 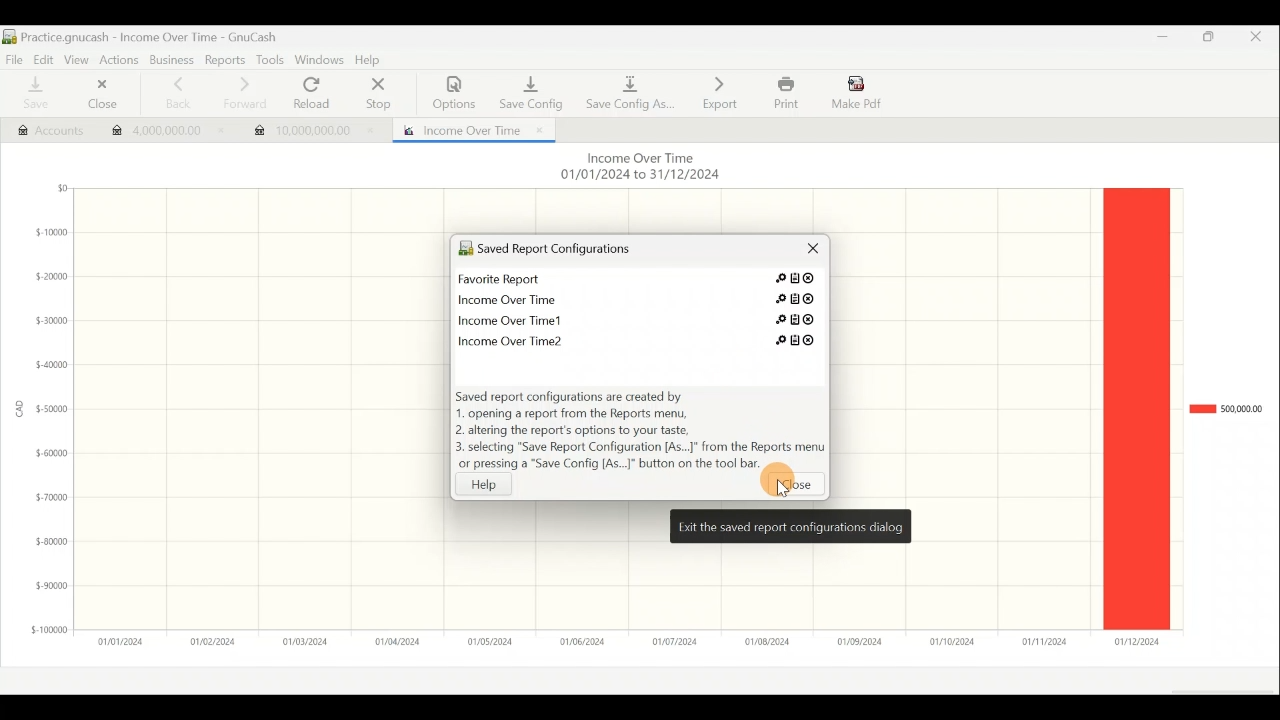 What do you see at coordinates (46, 417) in the screenshot?
I see `y-axis (amount in CAD)` at bounding box center [46, 417].